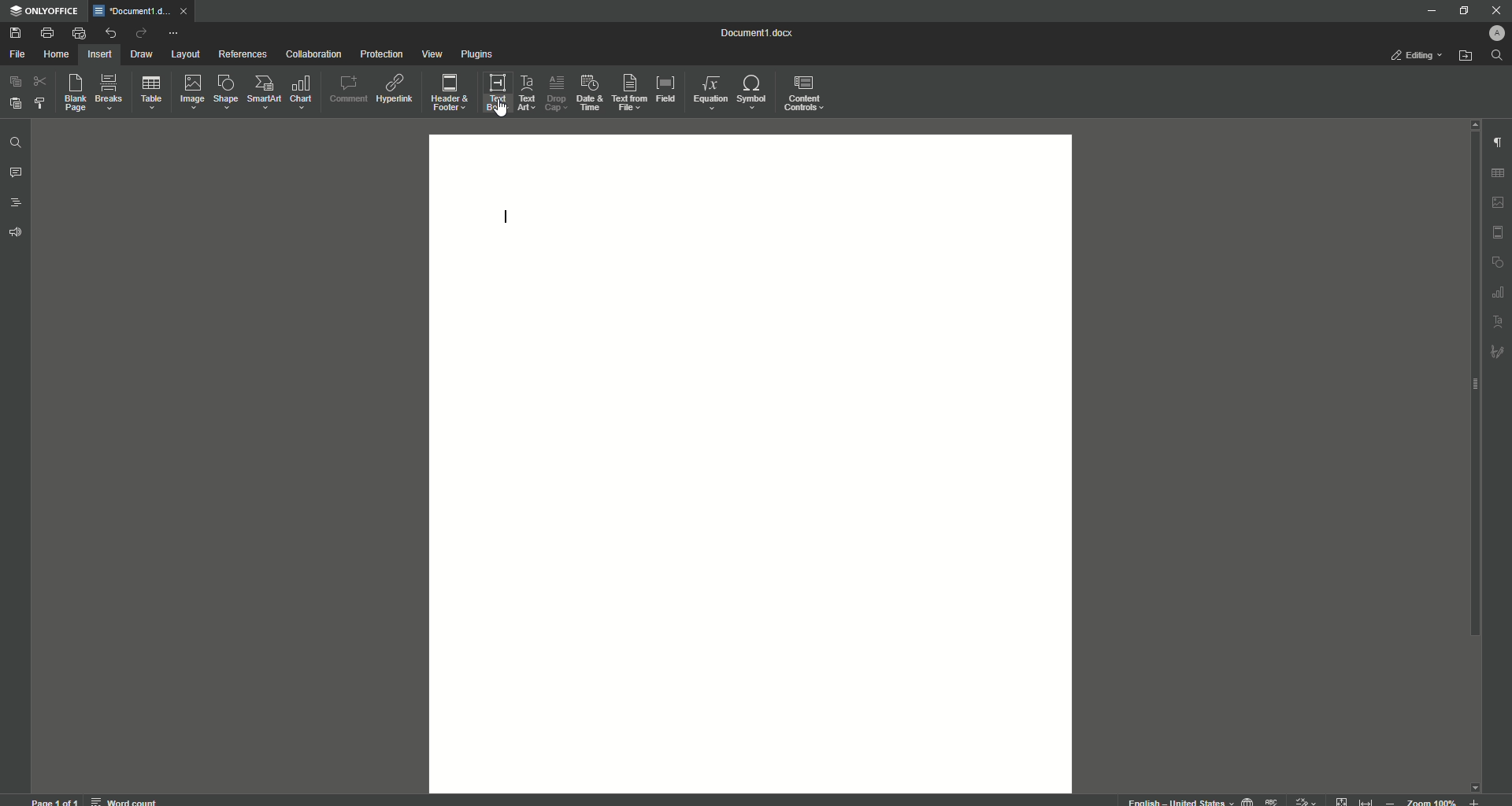 Image resolution: width=1512 pixels, height=806 pixels. I want to click on Text From File, so click(627, 91).